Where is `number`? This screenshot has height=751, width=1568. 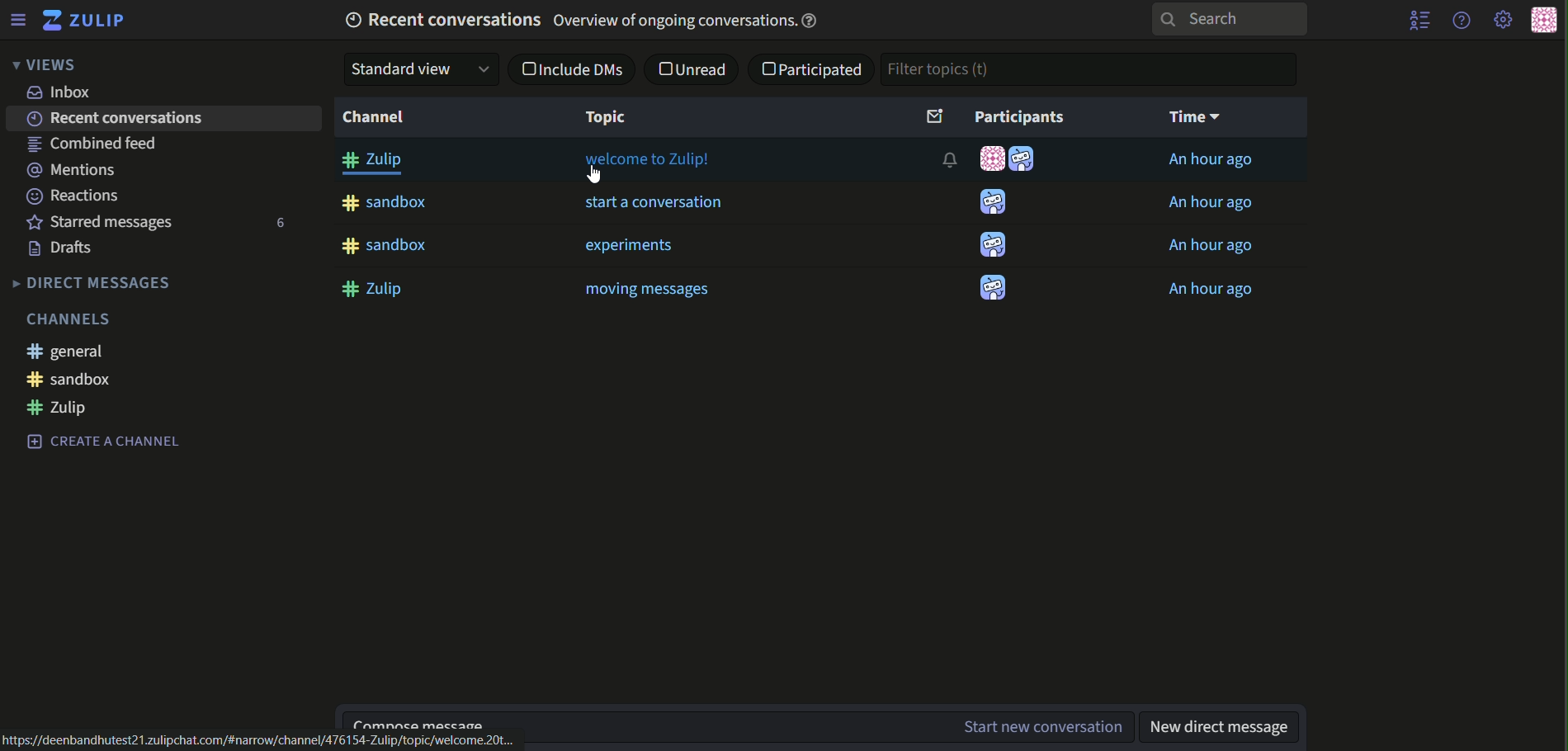
number is located at coordinates (276, 224).